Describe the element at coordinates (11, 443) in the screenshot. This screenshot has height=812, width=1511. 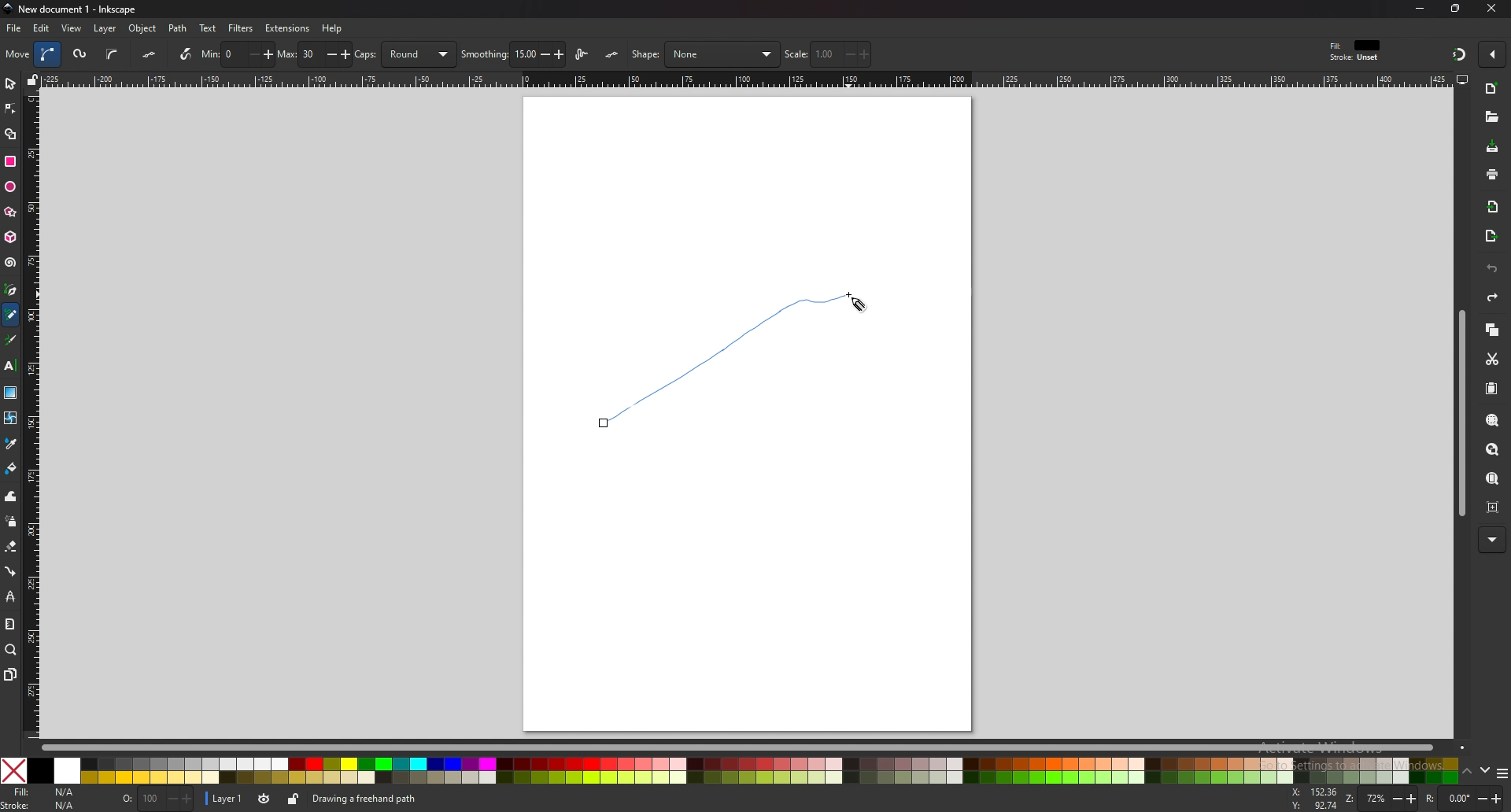
I see `color picker` at that location.